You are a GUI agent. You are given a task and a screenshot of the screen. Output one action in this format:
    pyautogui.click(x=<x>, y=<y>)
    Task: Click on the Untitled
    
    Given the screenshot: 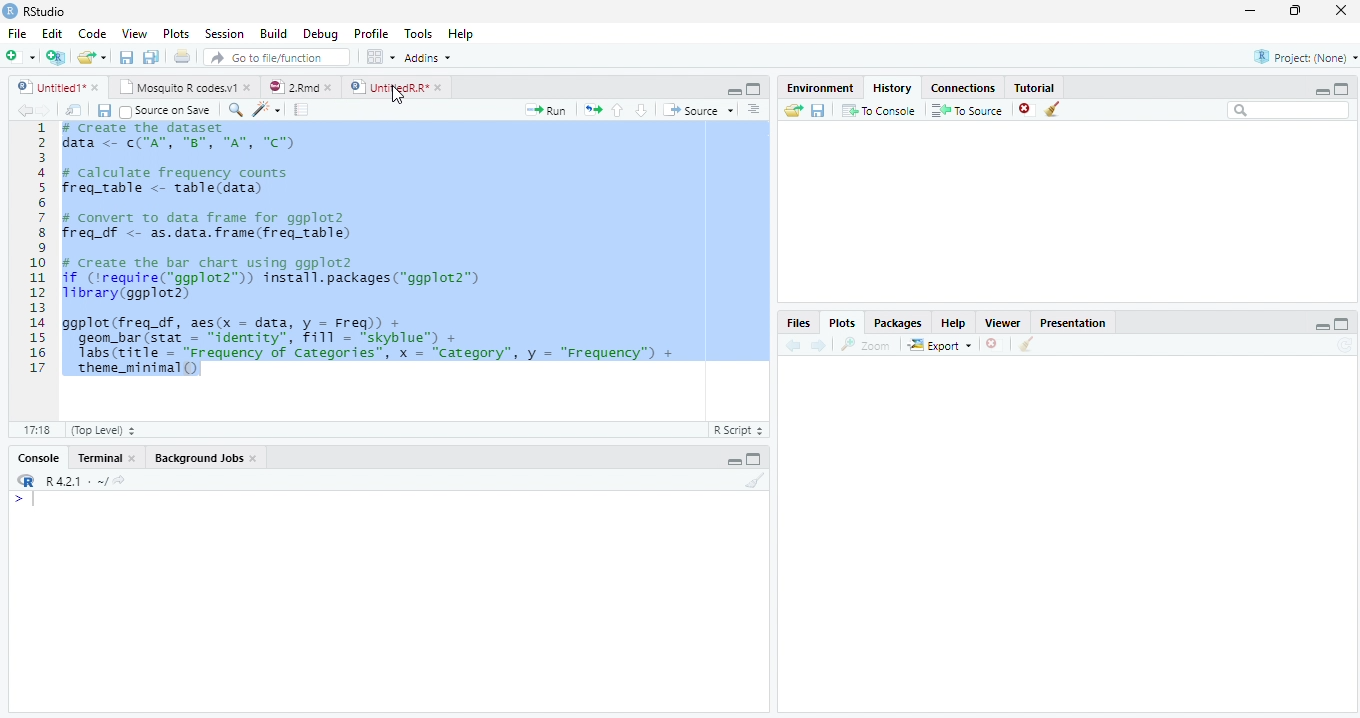 What is the action you would take?
    pyautogui.click(x=60, y=88)
    